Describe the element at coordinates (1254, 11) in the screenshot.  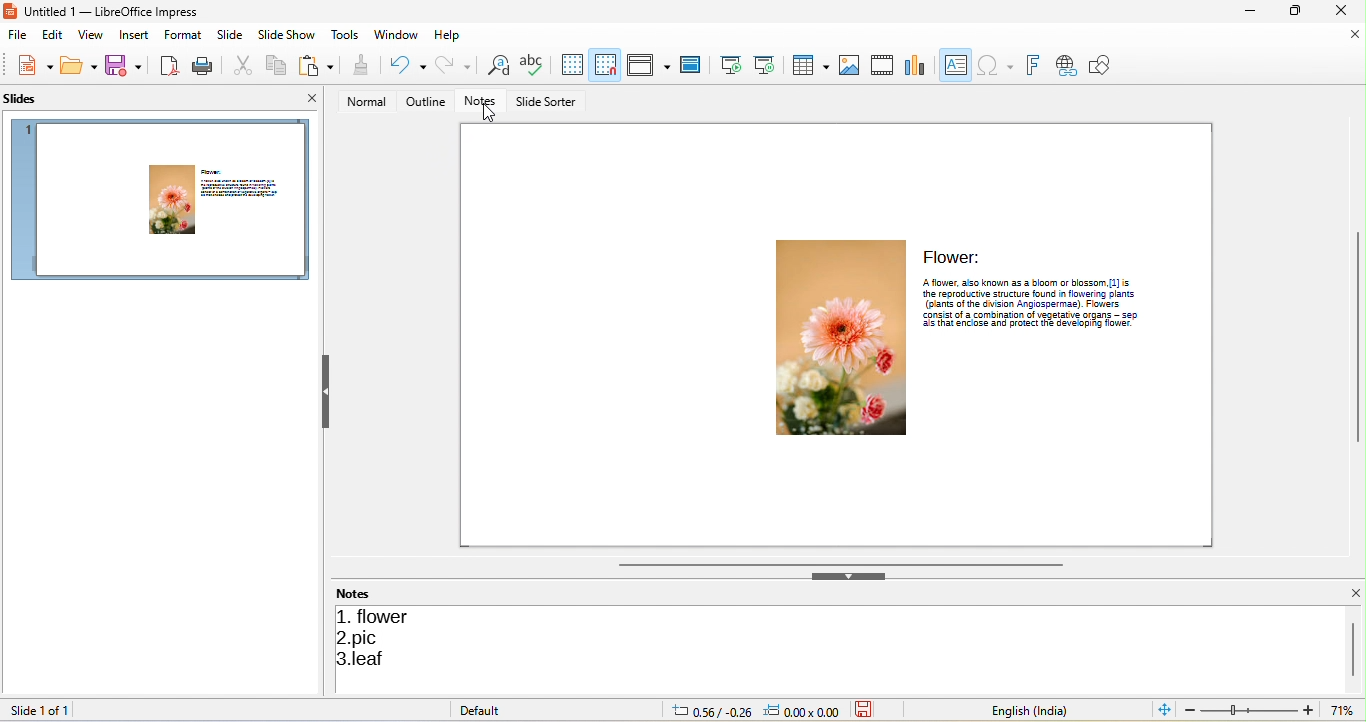
I see `minimize` at that location.